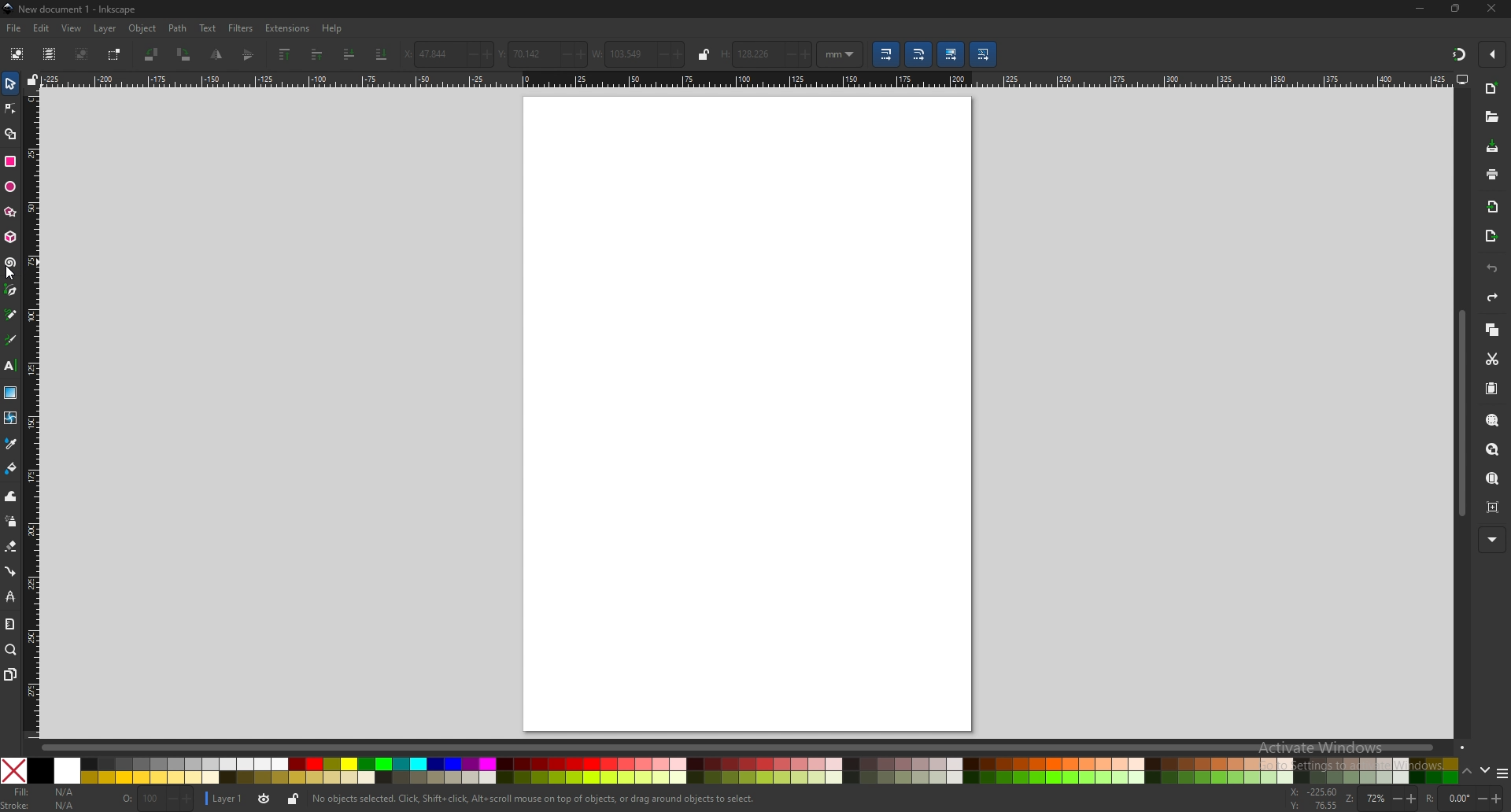 The height and width of the screenshot is (812, 1511). I want to click on New document 1 - Inkscape, so click(71, 9).